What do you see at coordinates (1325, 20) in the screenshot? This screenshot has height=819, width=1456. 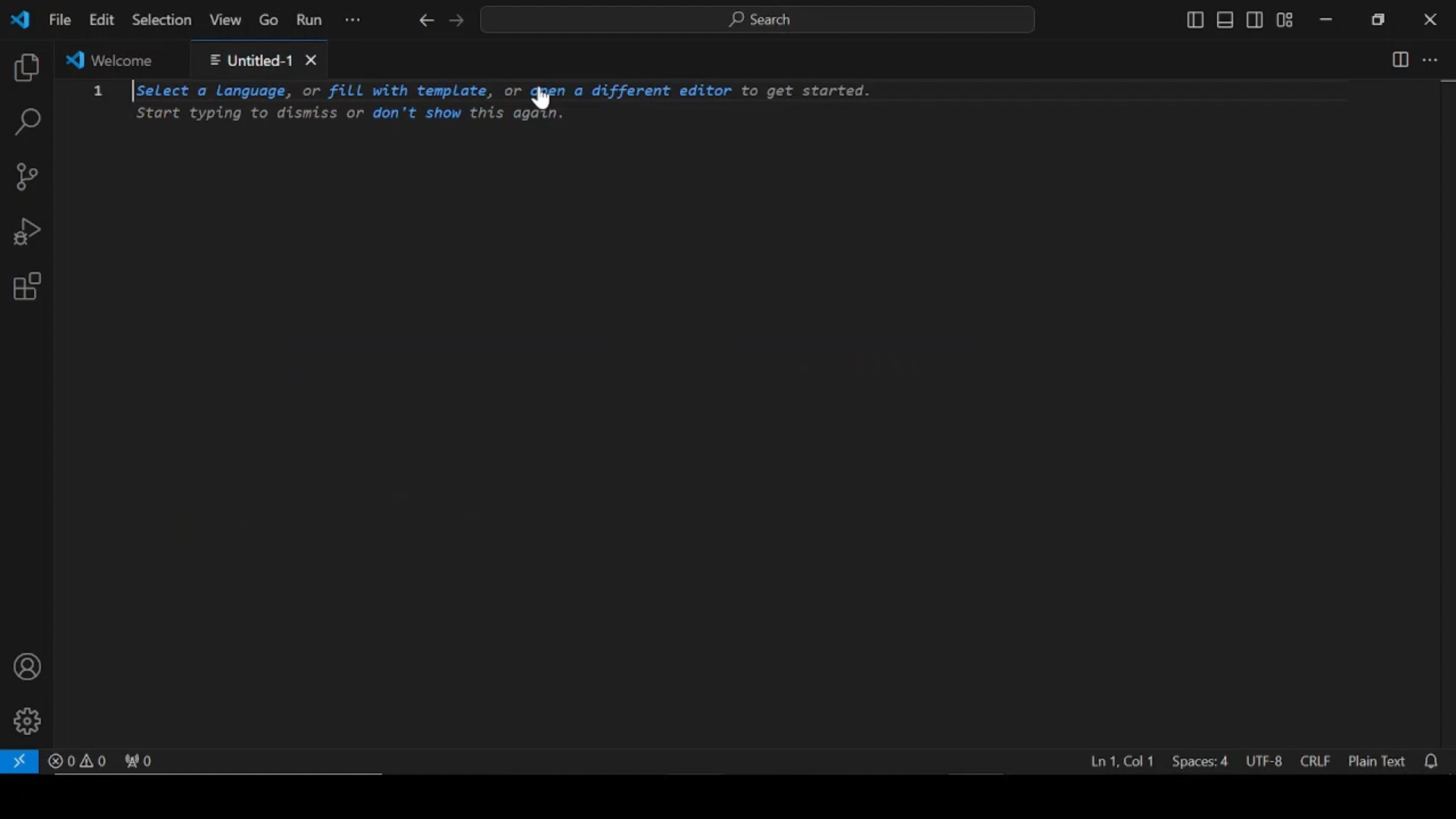 I see `minimize` at bounding box center [1325, 20].